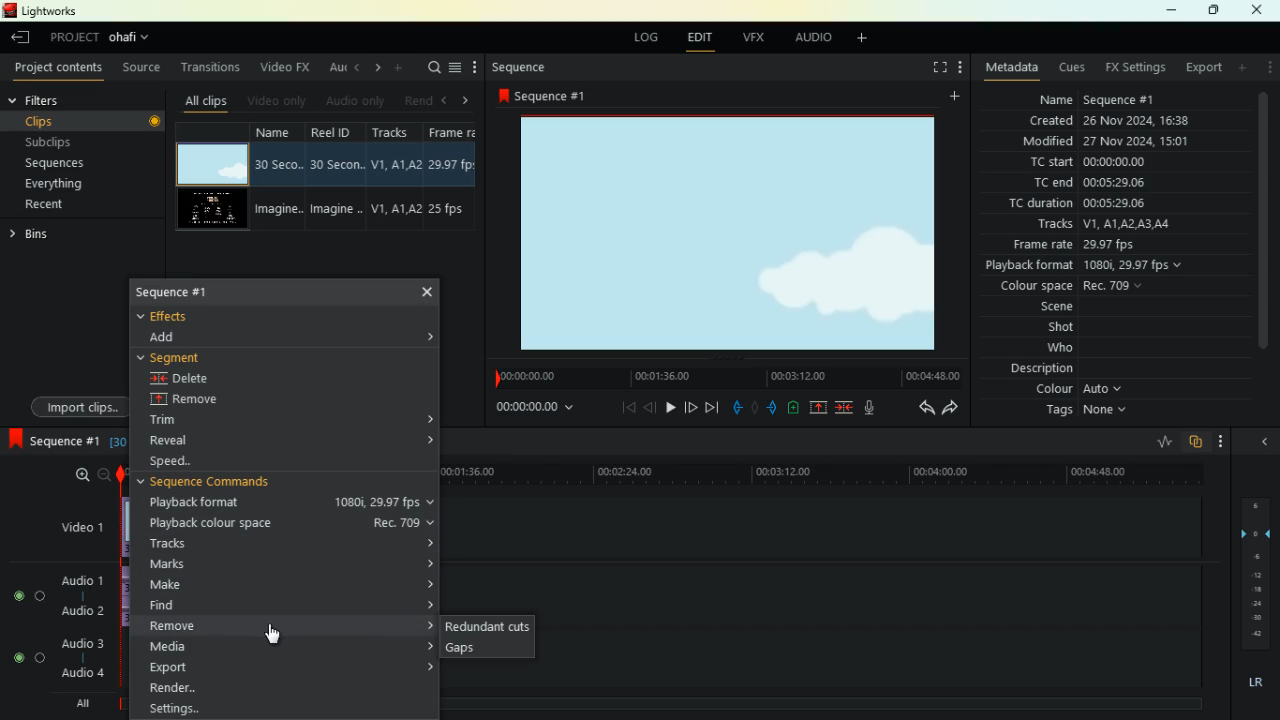 The height and width of the screenshot is (720, 1280). I want to click on frame rate 29.97fps, so click(1103, 246).